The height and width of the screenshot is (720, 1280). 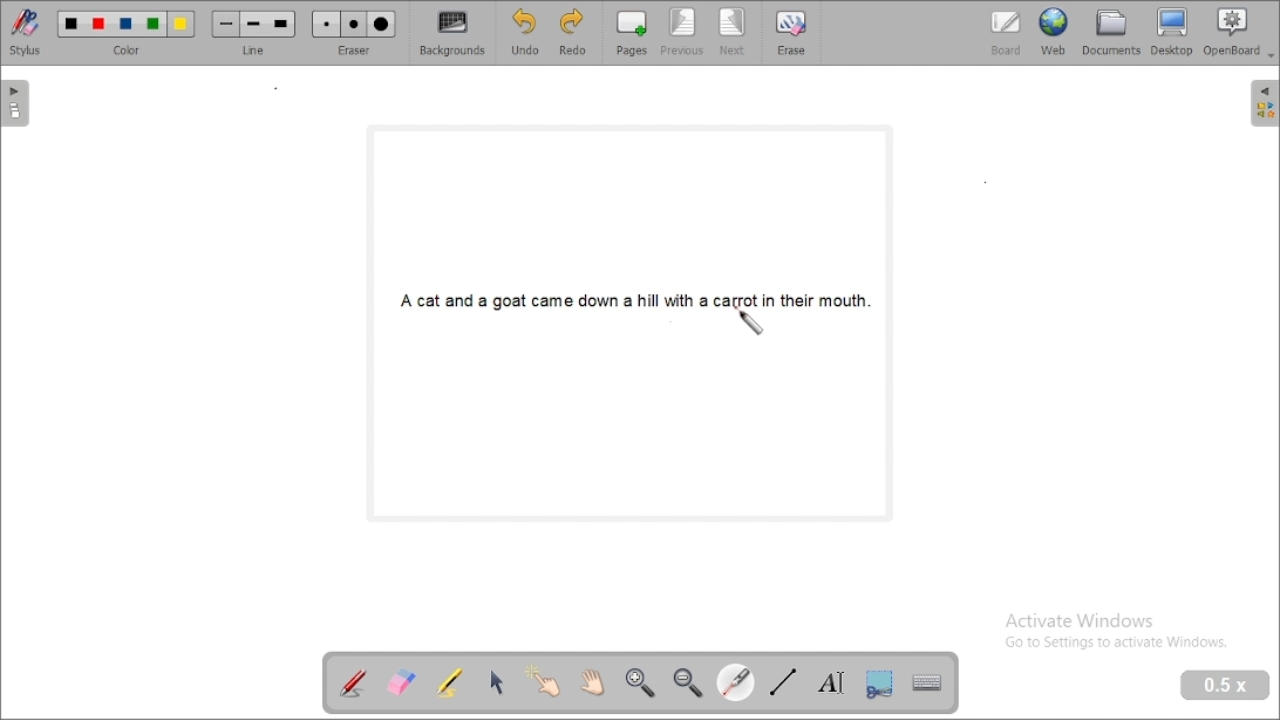 What do you see at coordinates (1112, 32) in the screenshot?
I see `document` at bounding box center [1112, 32].